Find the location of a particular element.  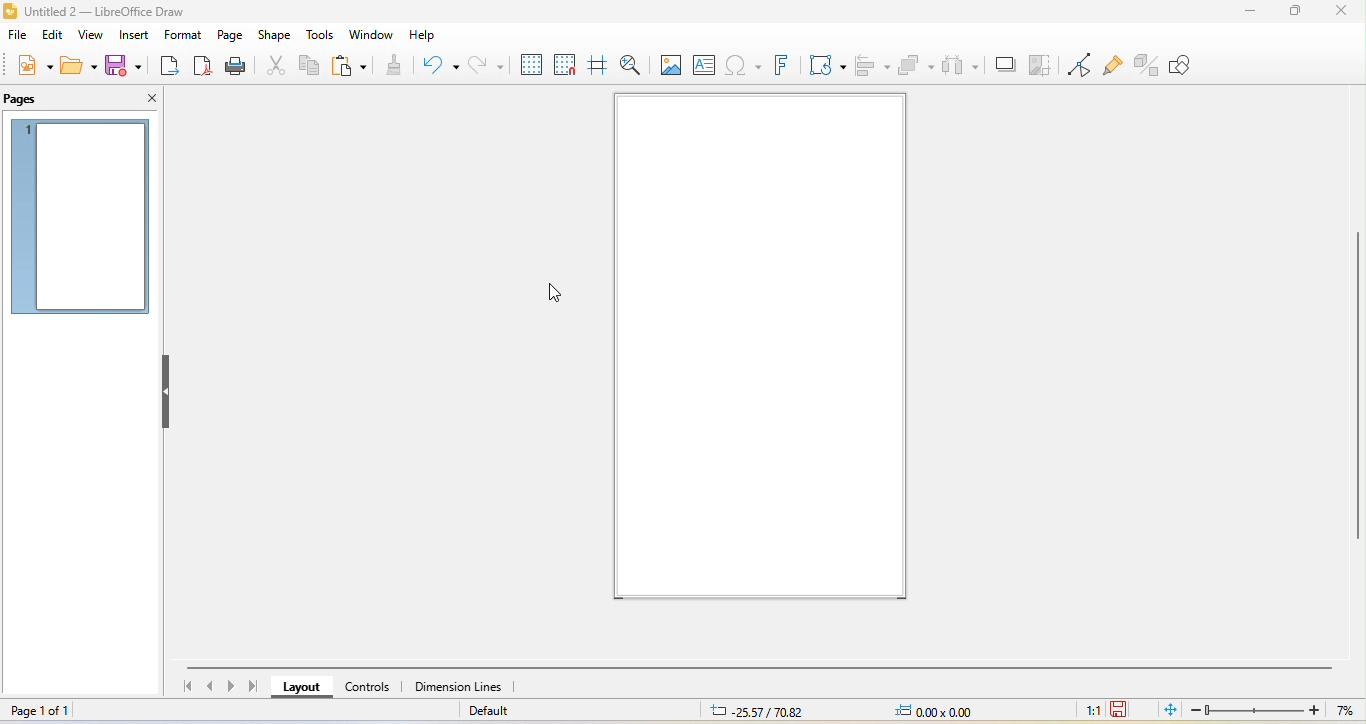

cut is located at coordinates (272, 65).